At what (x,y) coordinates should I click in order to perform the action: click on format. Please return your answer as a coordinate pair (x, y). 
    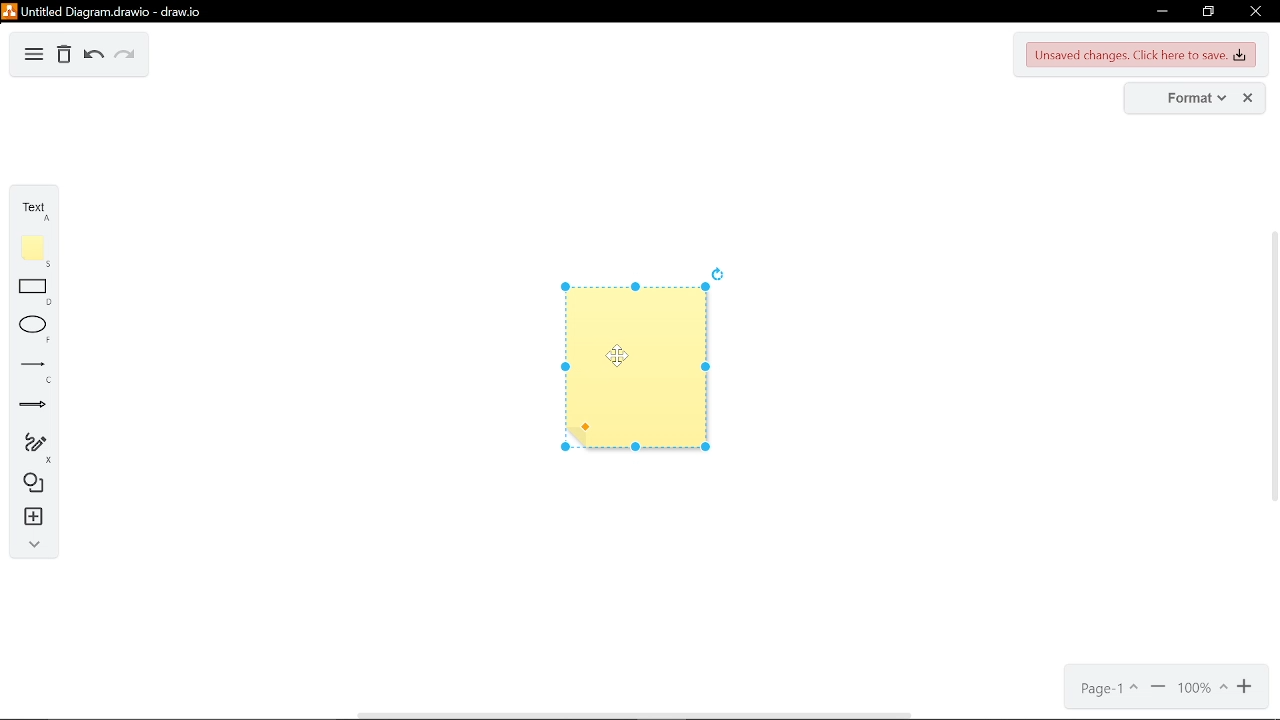
    Looking at the image, I should click on (1186, 99).